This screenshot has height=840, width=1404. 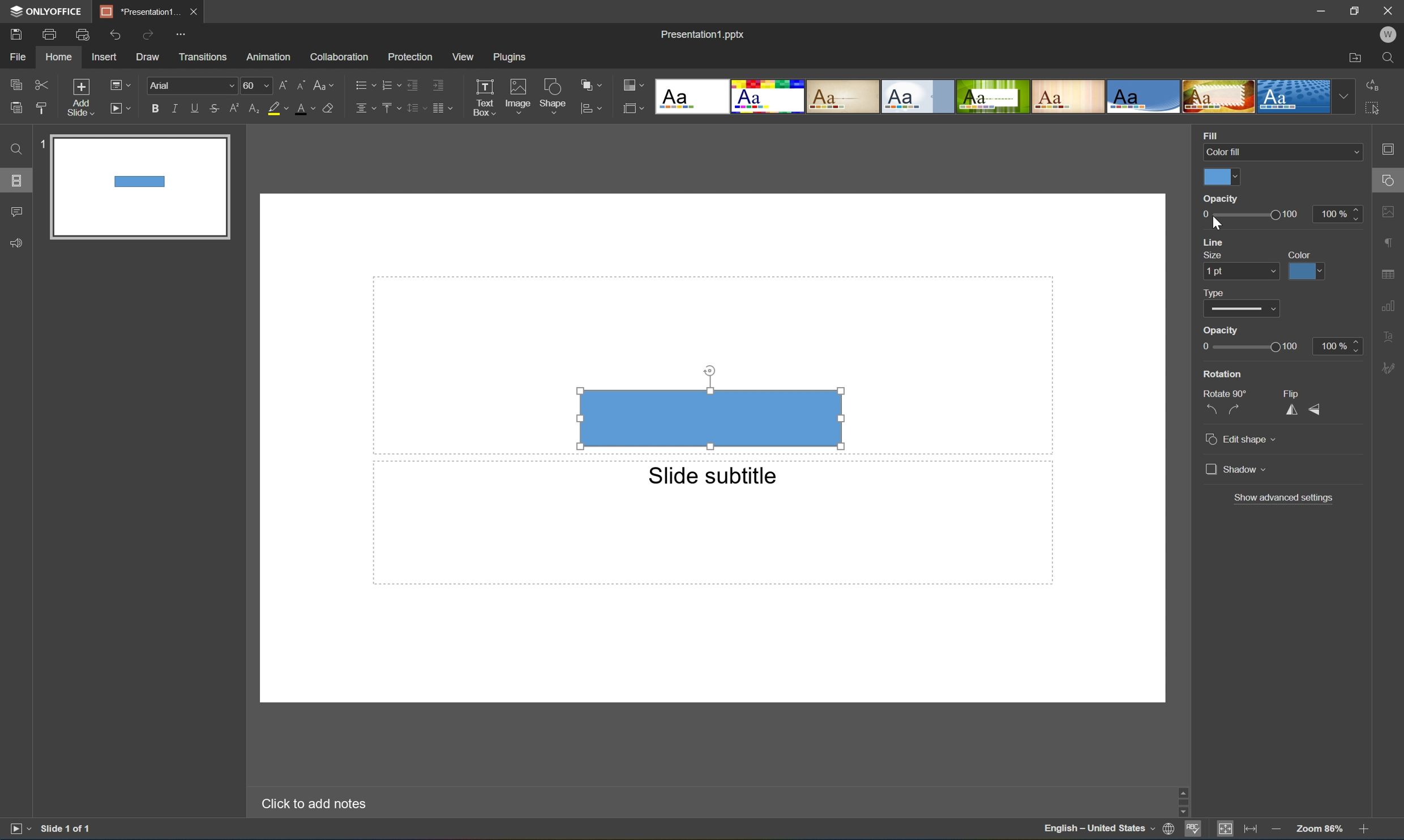 What do you see at coordinates (461, 55) in the screenshot?
I see `View` at bounding box center [461, 55].